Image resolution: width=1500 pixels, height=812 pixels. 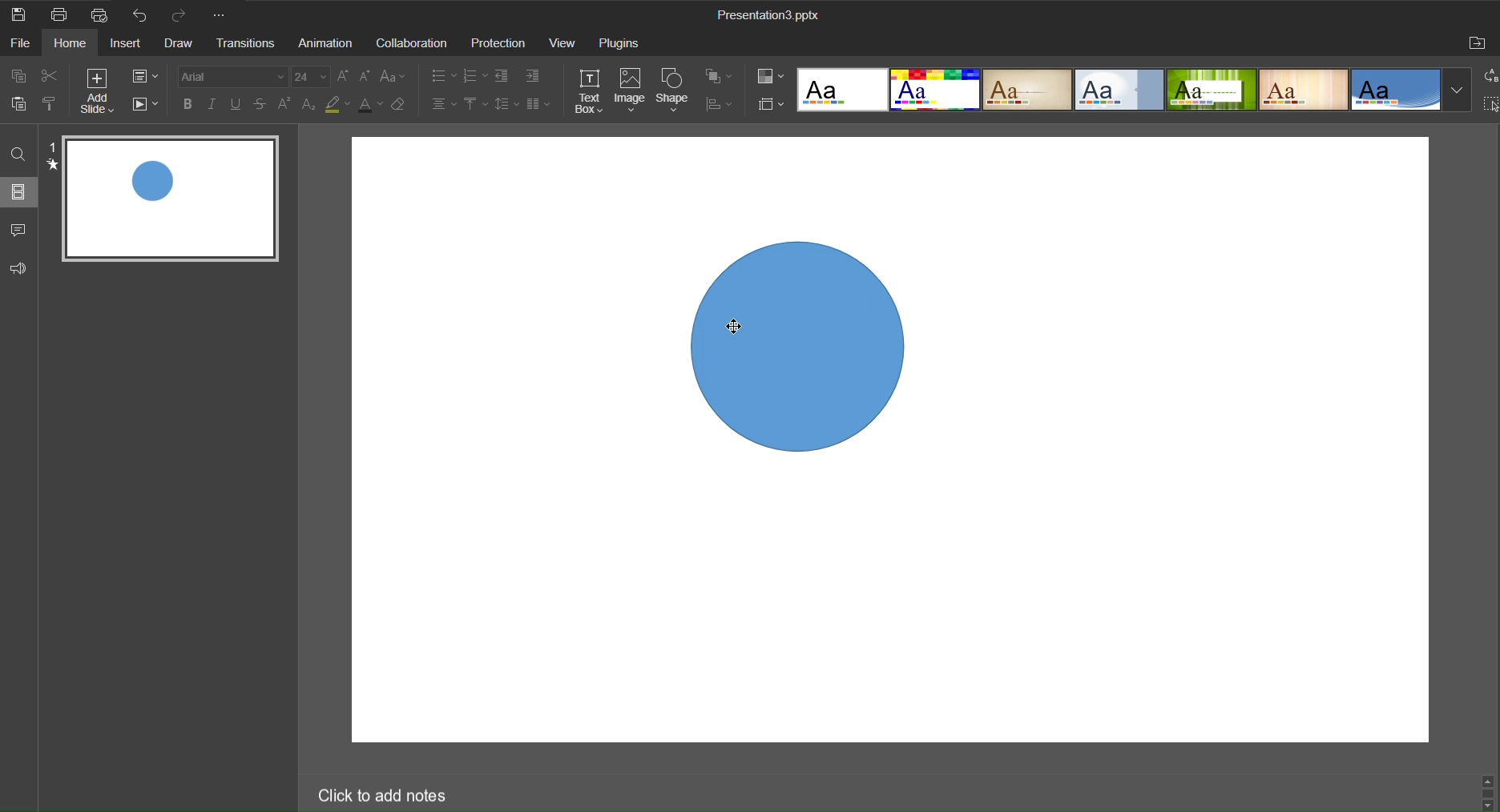 What do you see at coordinates (216, 106) in the screenshot?
I see `Italic` at bounding box center [216, 106].